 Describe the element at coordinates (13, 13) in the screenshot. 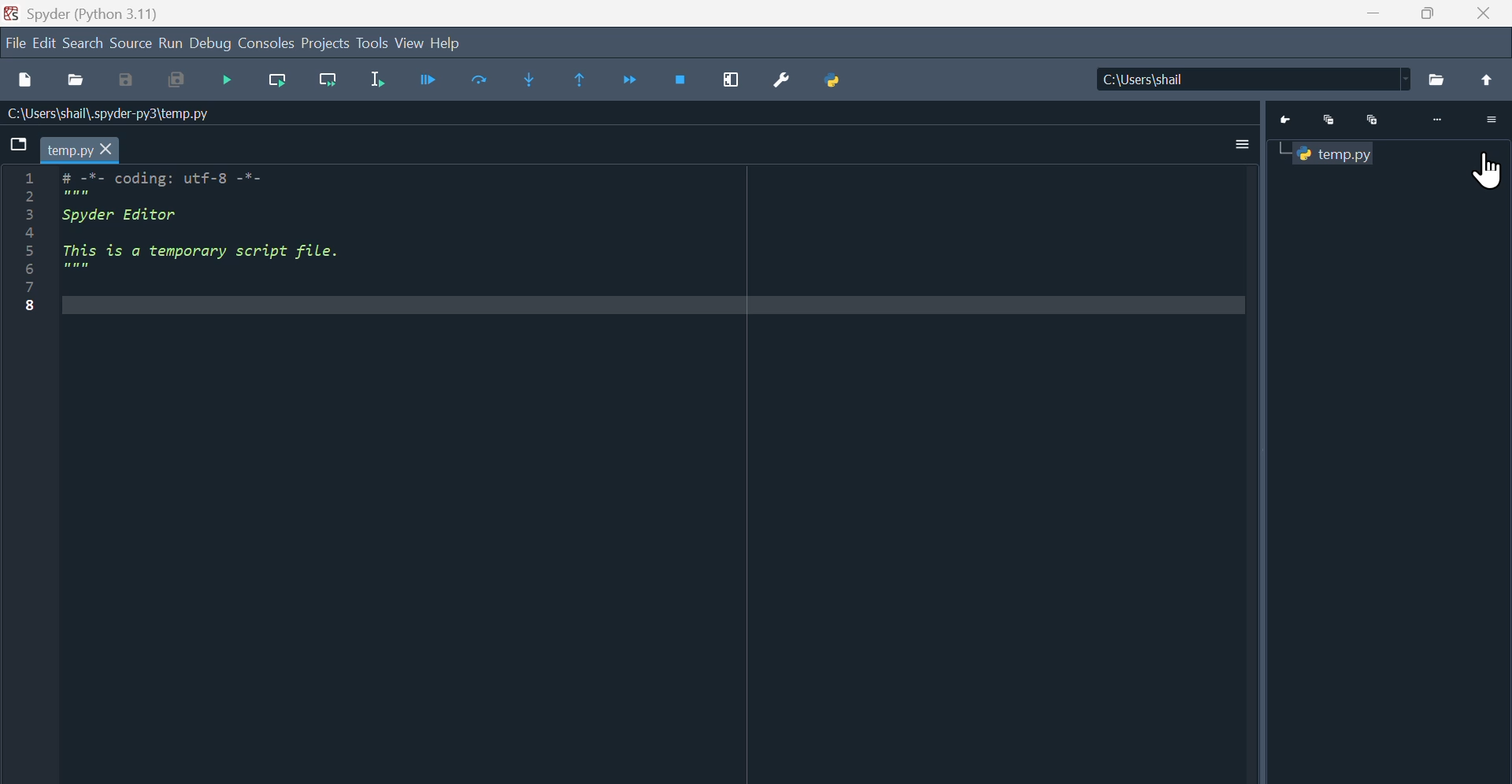

I see `Spyder icon` at that location.